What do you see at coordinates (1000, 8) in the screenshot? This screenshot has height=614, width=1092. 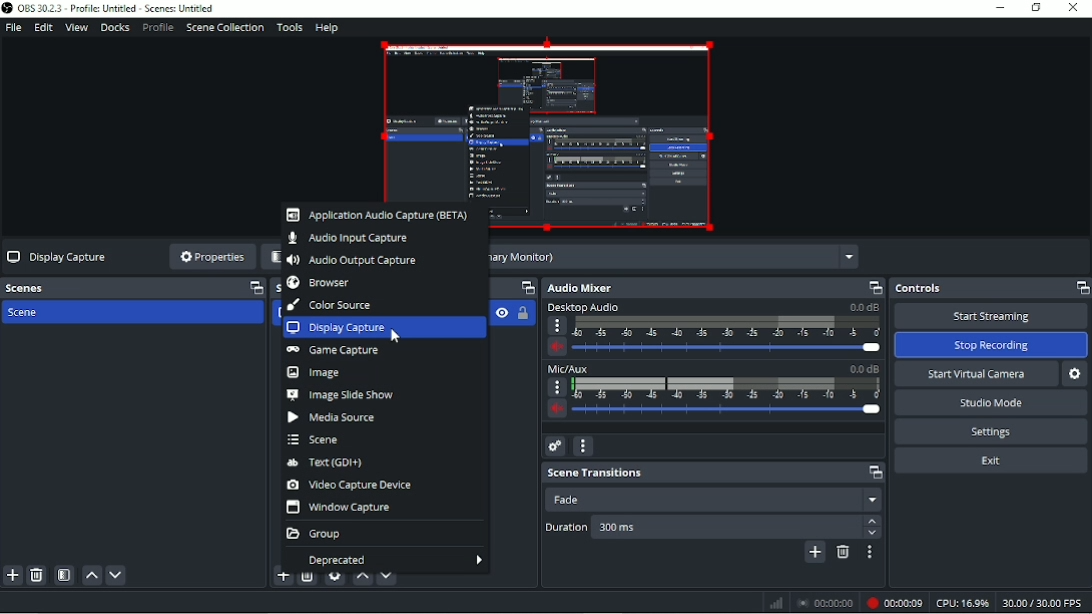 I see `Minimize` at bounding box center [1000, 8].